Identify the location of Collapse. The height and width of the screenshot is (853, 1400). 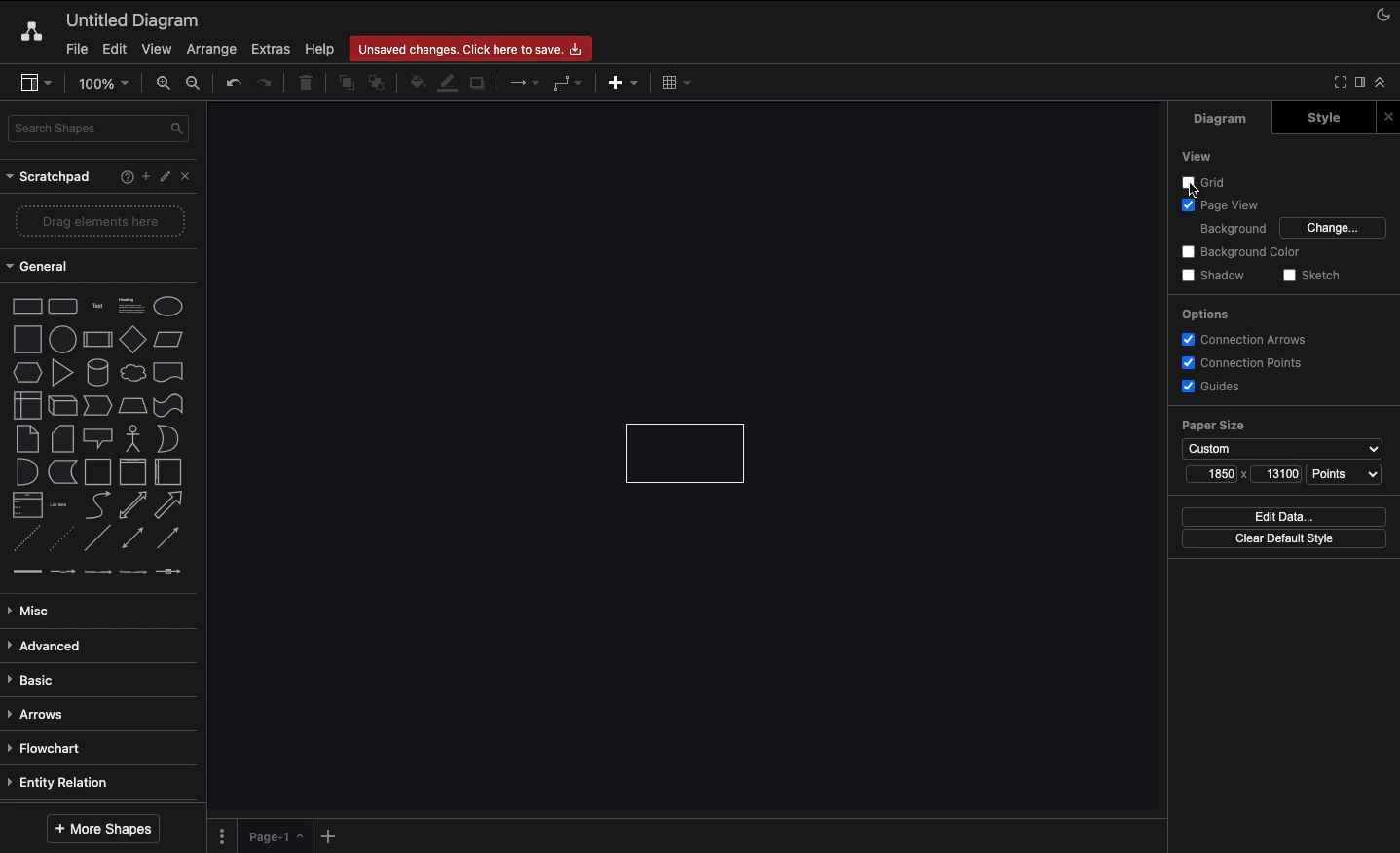
(1382, 82).